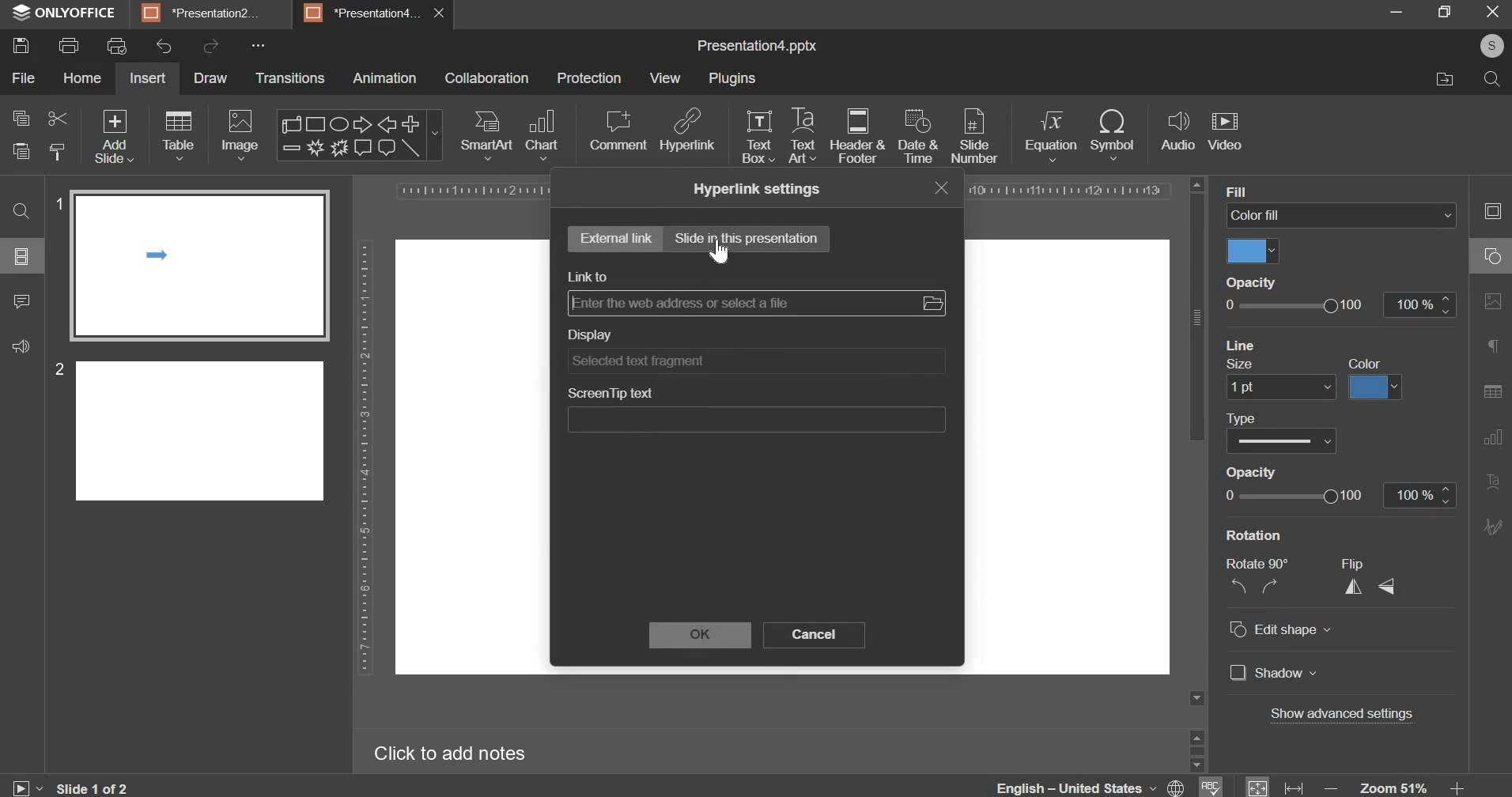 This screenshot has width=1512, height=797. I want to click on Backaround, so click(1268, 191).